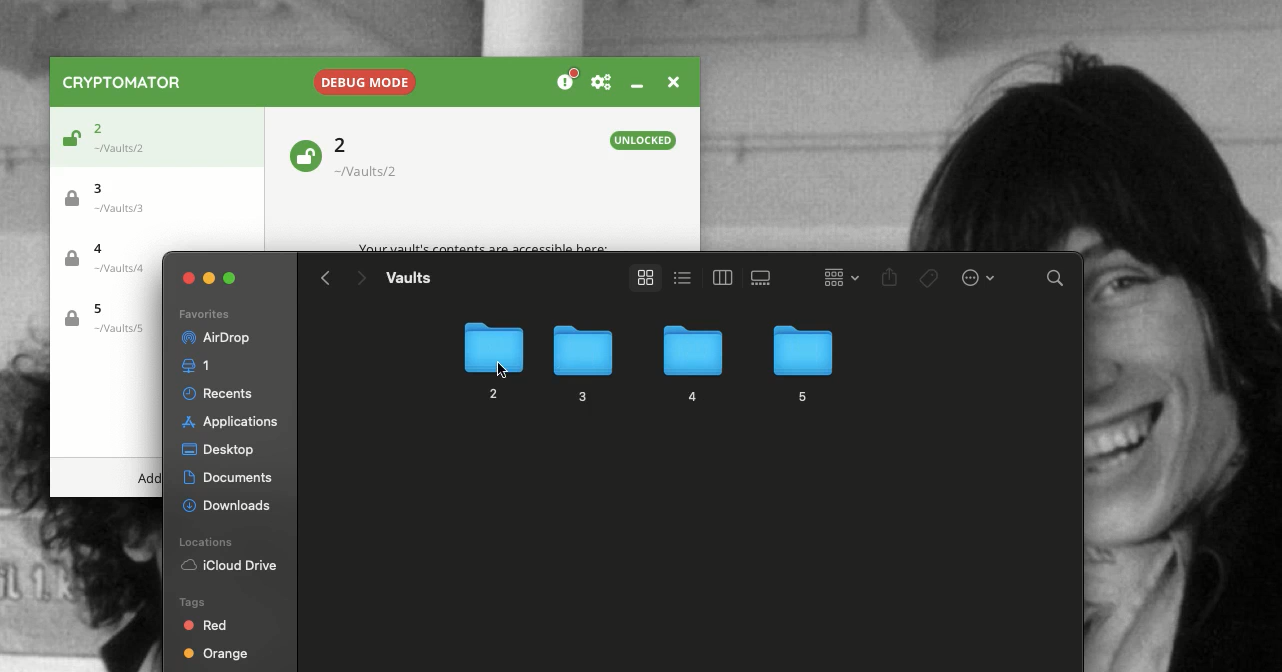 Image resolution: width=1282 pixels, height=672 pixels. Describe the element at coordinates (636, 85) in the screenshot. I see `Minimize` at that location.